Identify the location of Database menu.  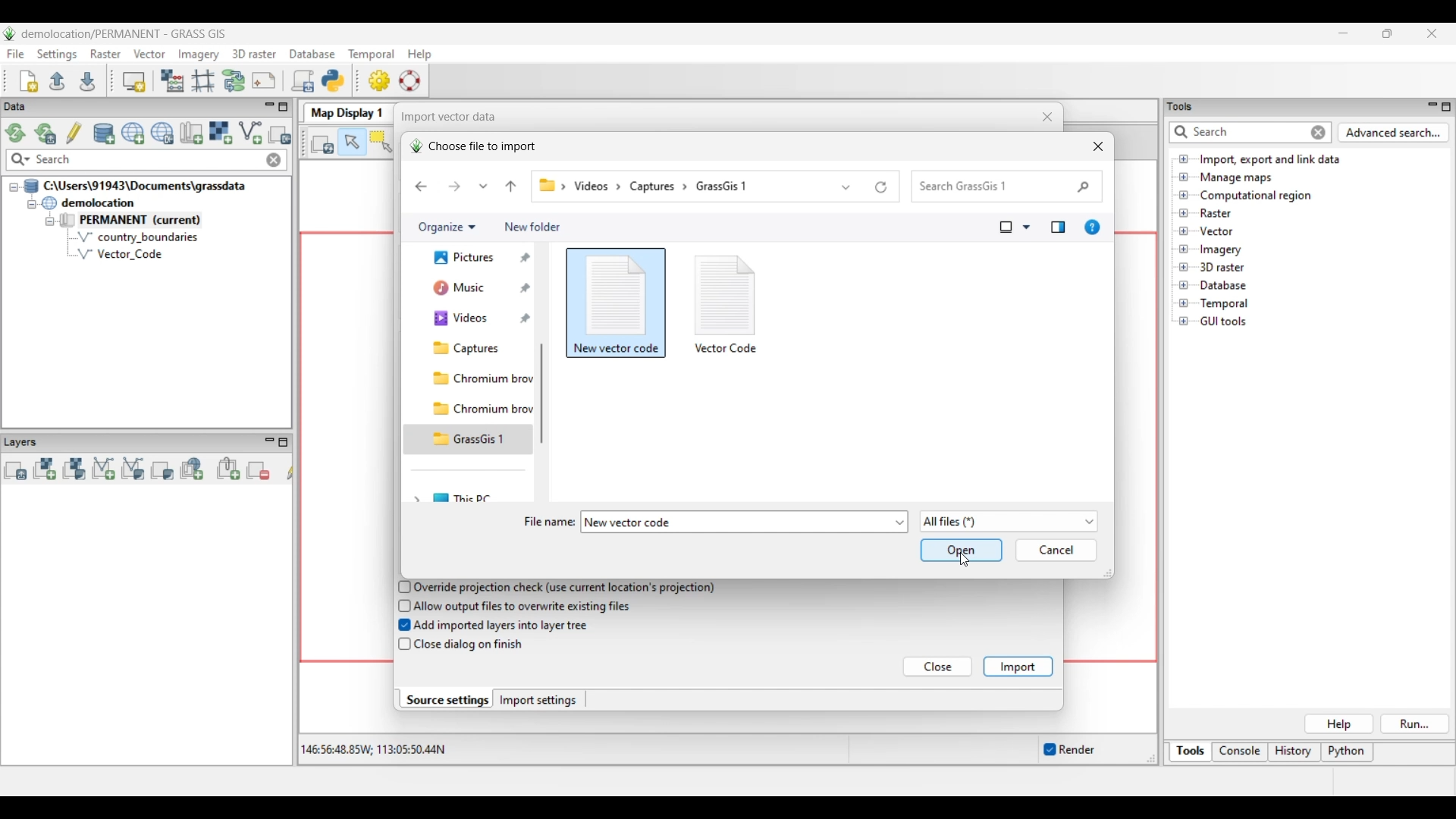
(312, 55).